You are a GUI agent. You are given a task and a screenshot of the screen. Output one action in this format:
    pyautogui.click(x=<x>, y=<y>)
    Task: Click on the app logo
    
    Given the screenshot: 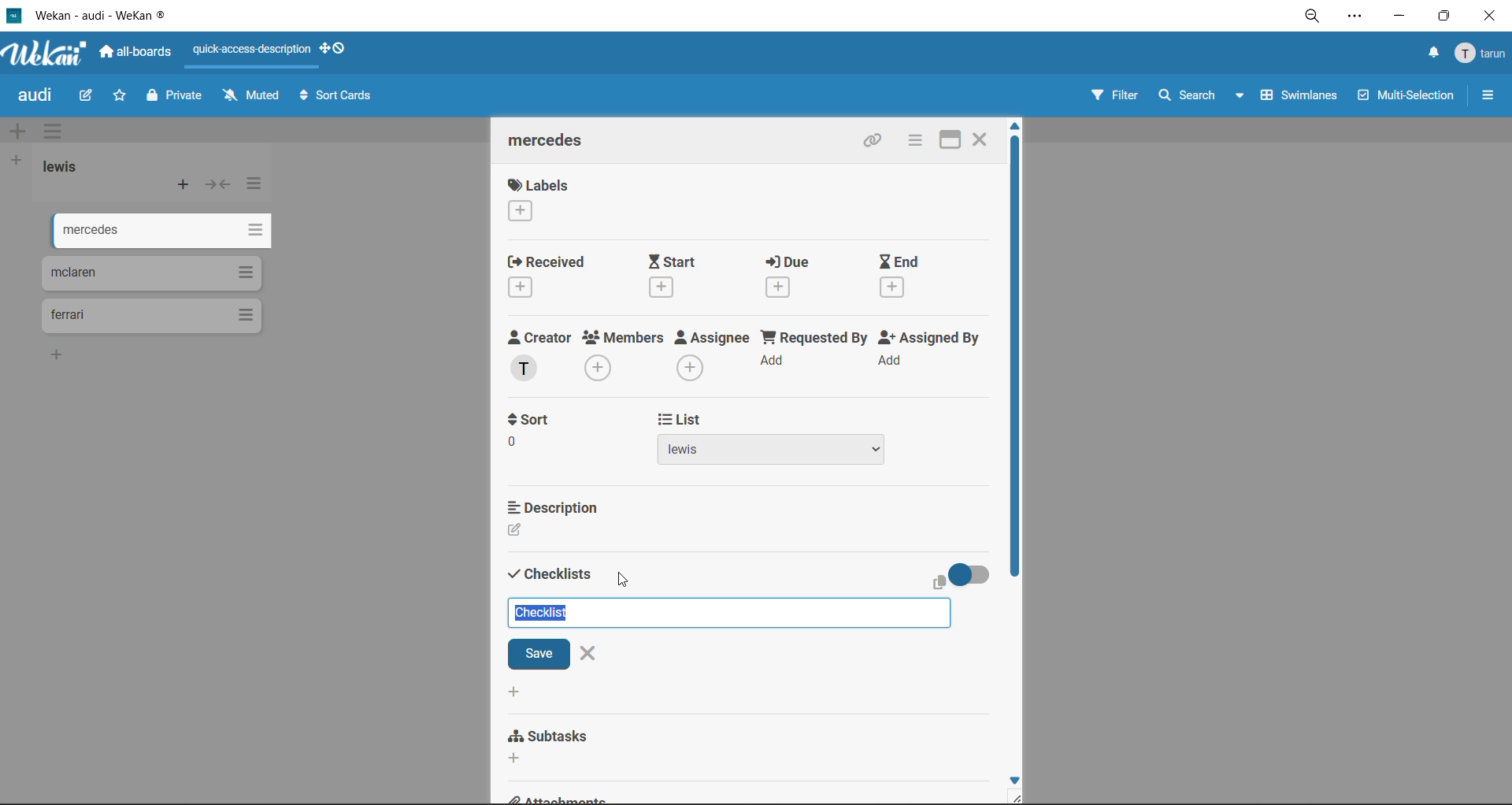 What is the action you would take?
    pyautogui.click(x=46, y=55)
    